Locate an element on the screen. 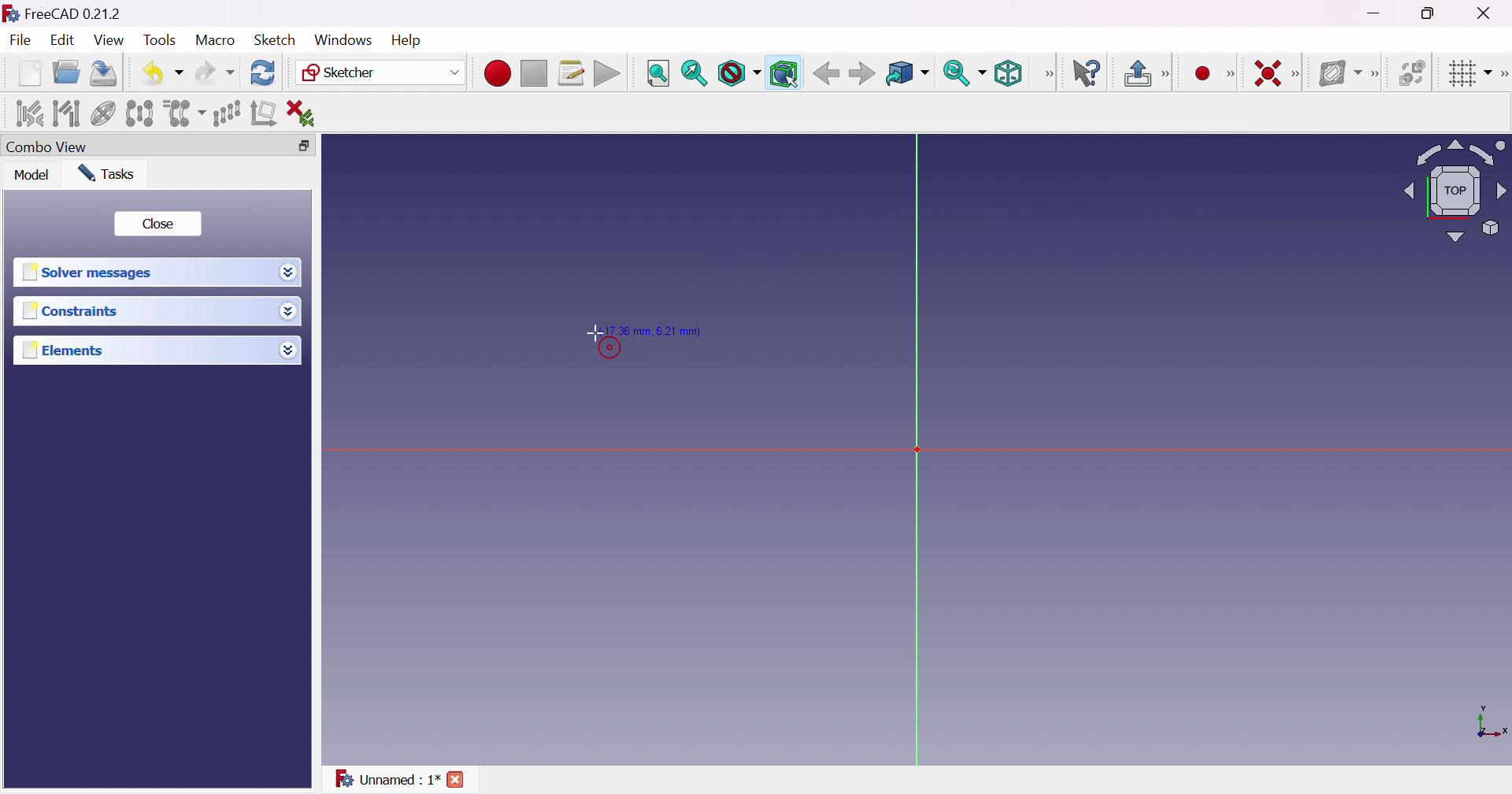  Tools is located at coordinates (161, 41).